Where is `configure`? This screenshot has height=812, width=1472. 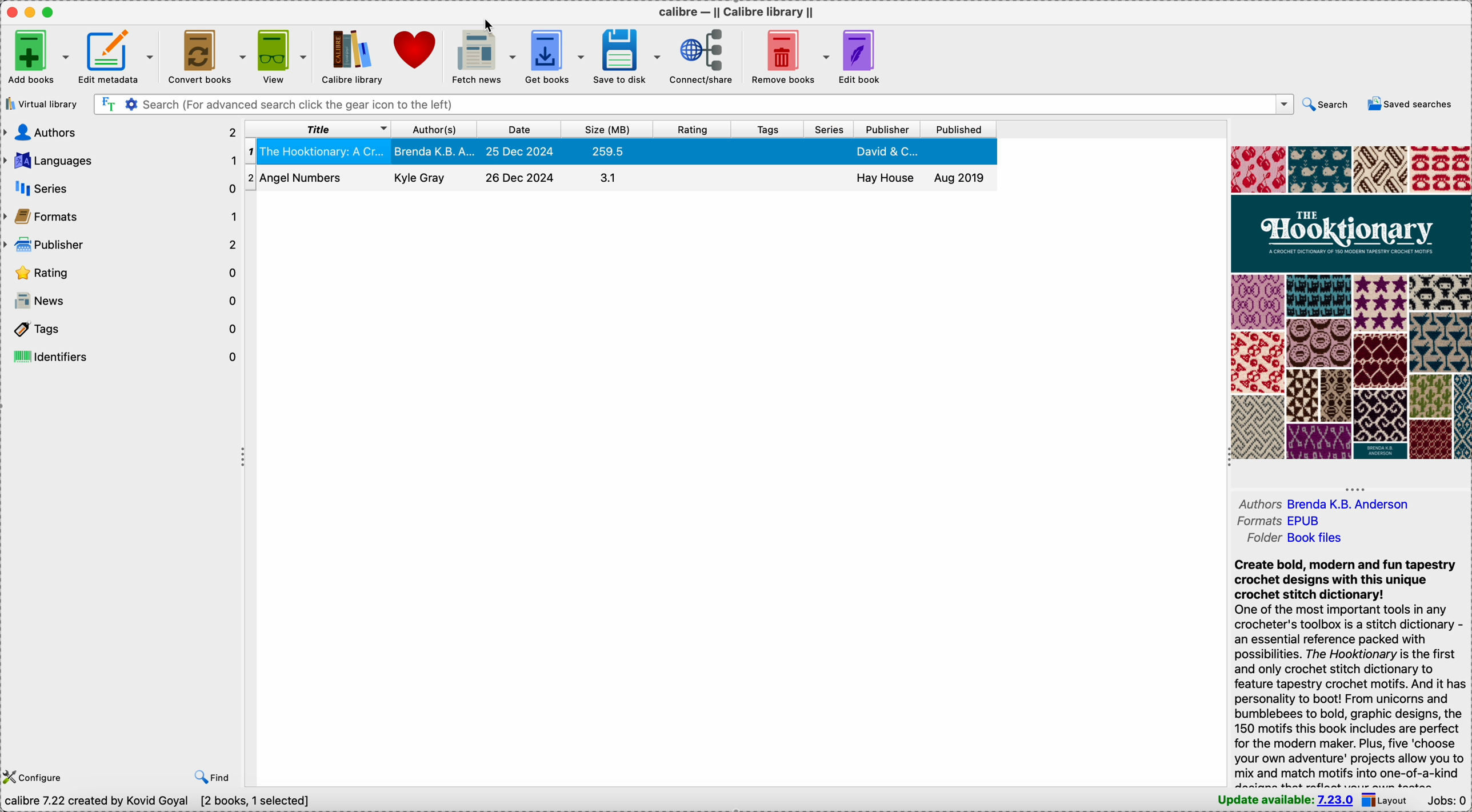 configure is located at coordinates (37, 778).